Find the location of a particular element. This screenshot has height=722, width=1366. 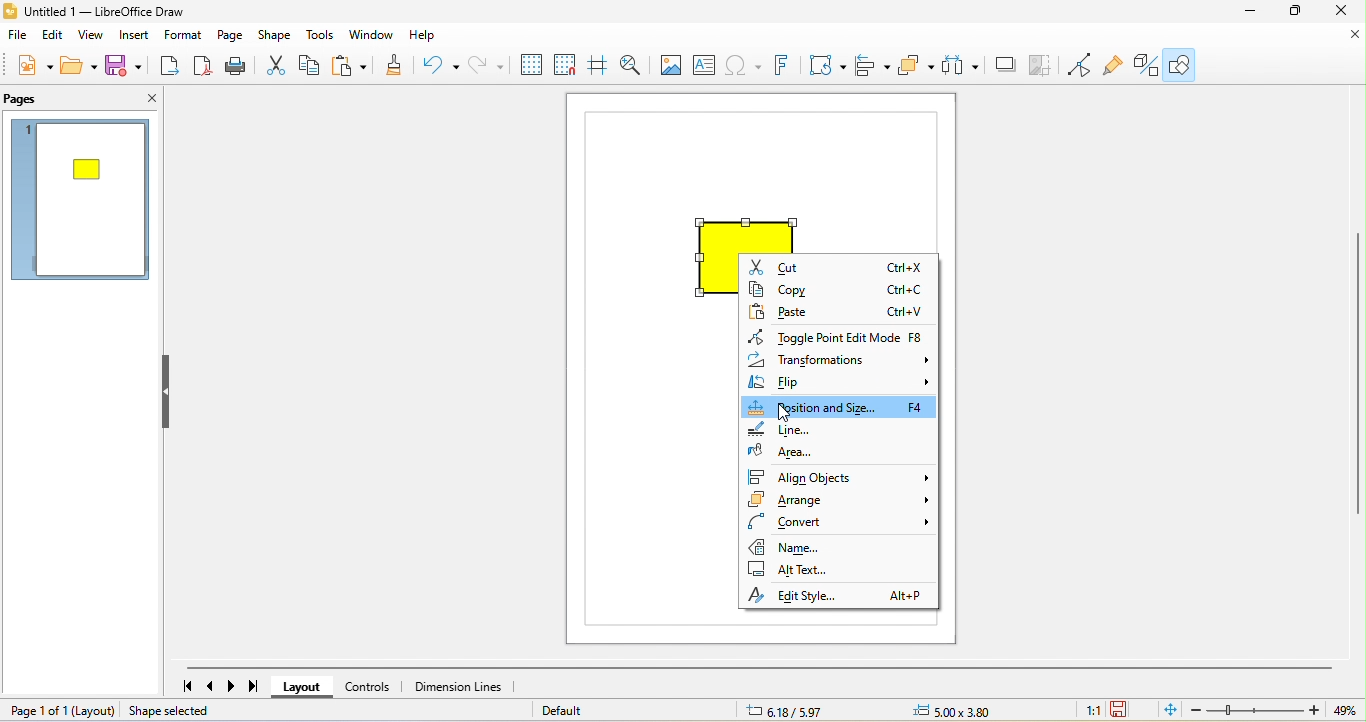

default is located at coordinates (583, 711).